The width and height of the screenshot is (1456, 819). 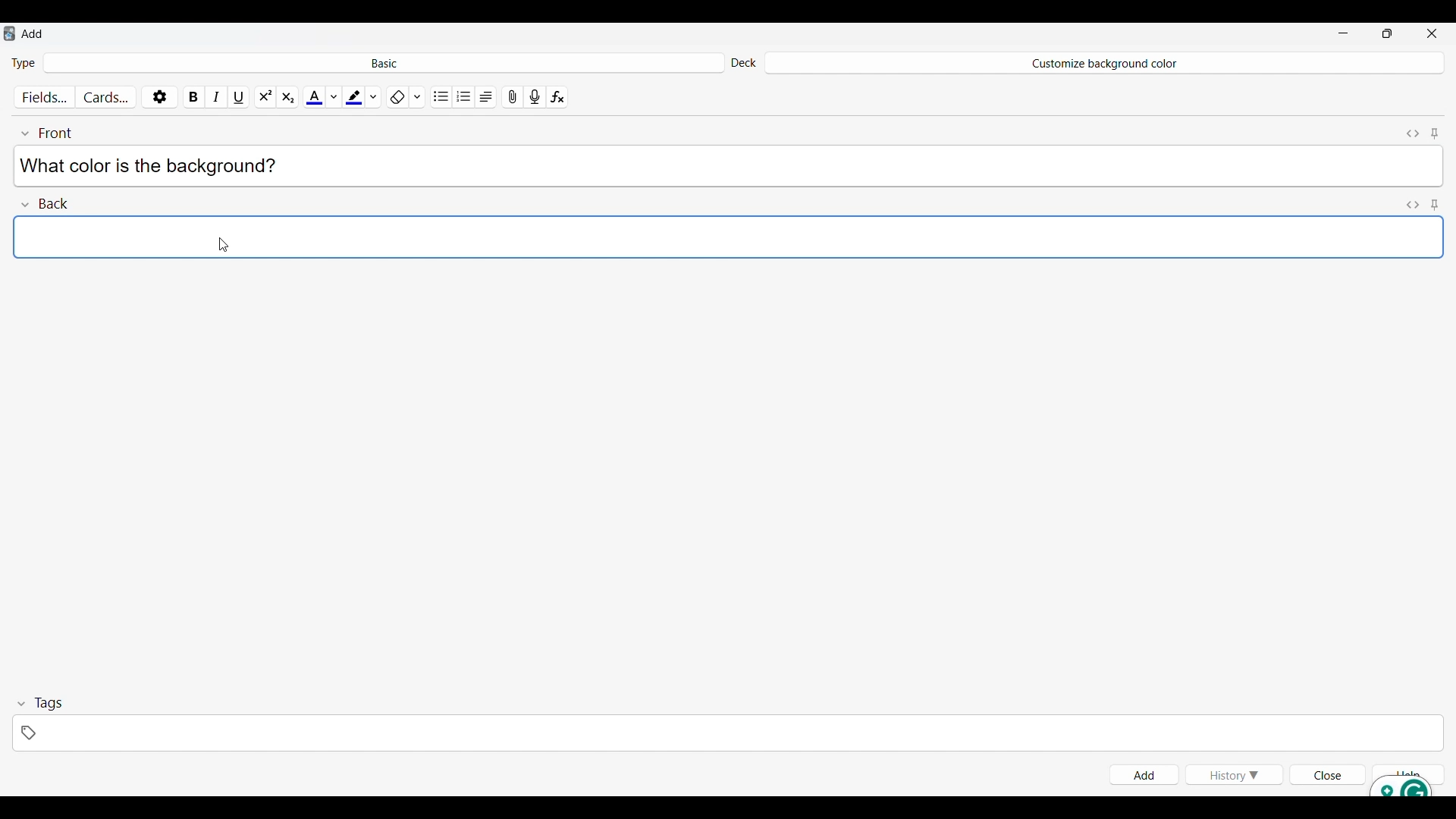 What do you see at coordinates (1434, 132) in the screenshot?
I see `Toggle sticky ` at bounding box center [1434, 132].